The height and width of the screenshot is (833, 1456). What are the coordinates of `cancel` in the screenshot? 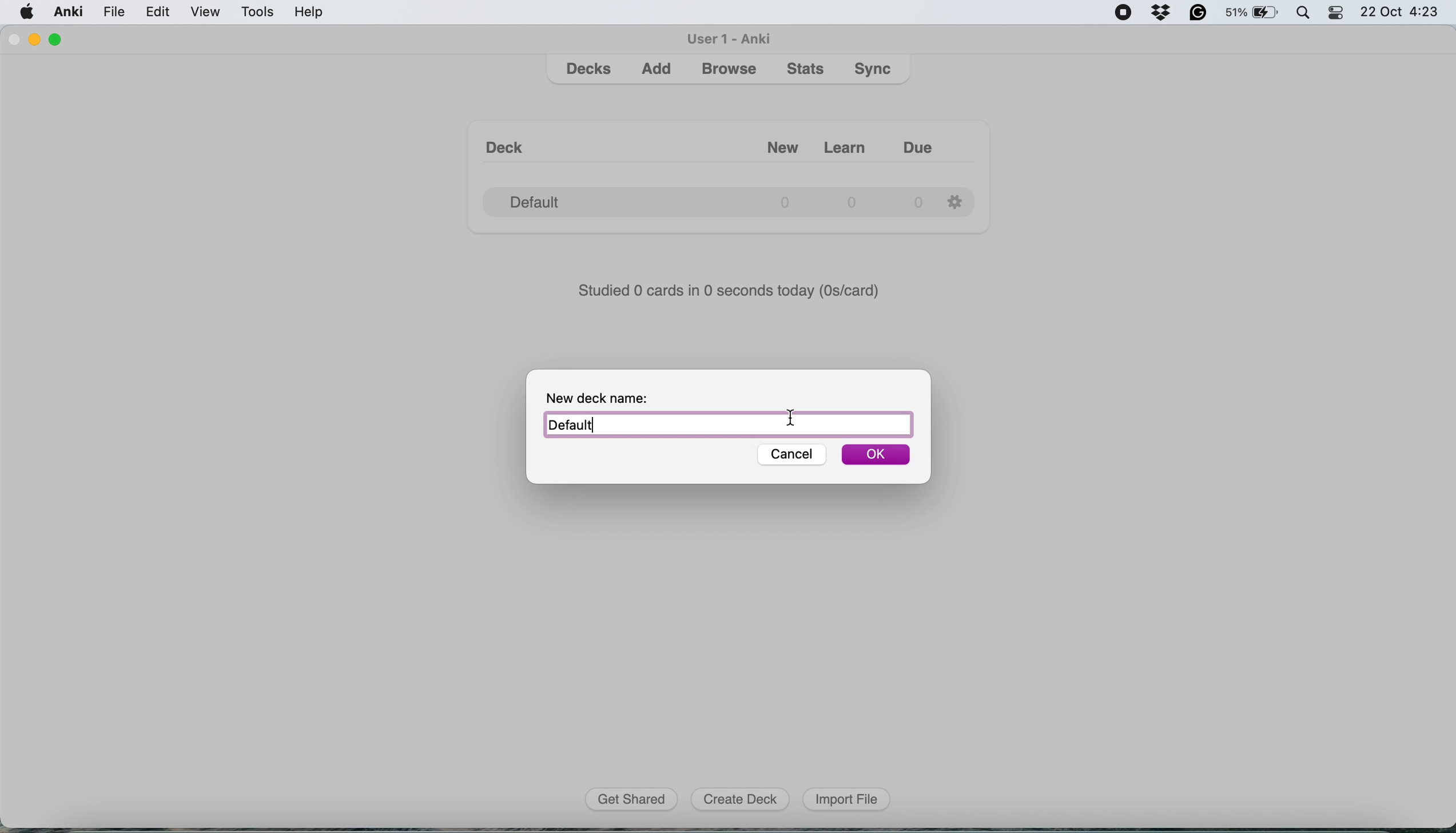 It's located at (787, 455).